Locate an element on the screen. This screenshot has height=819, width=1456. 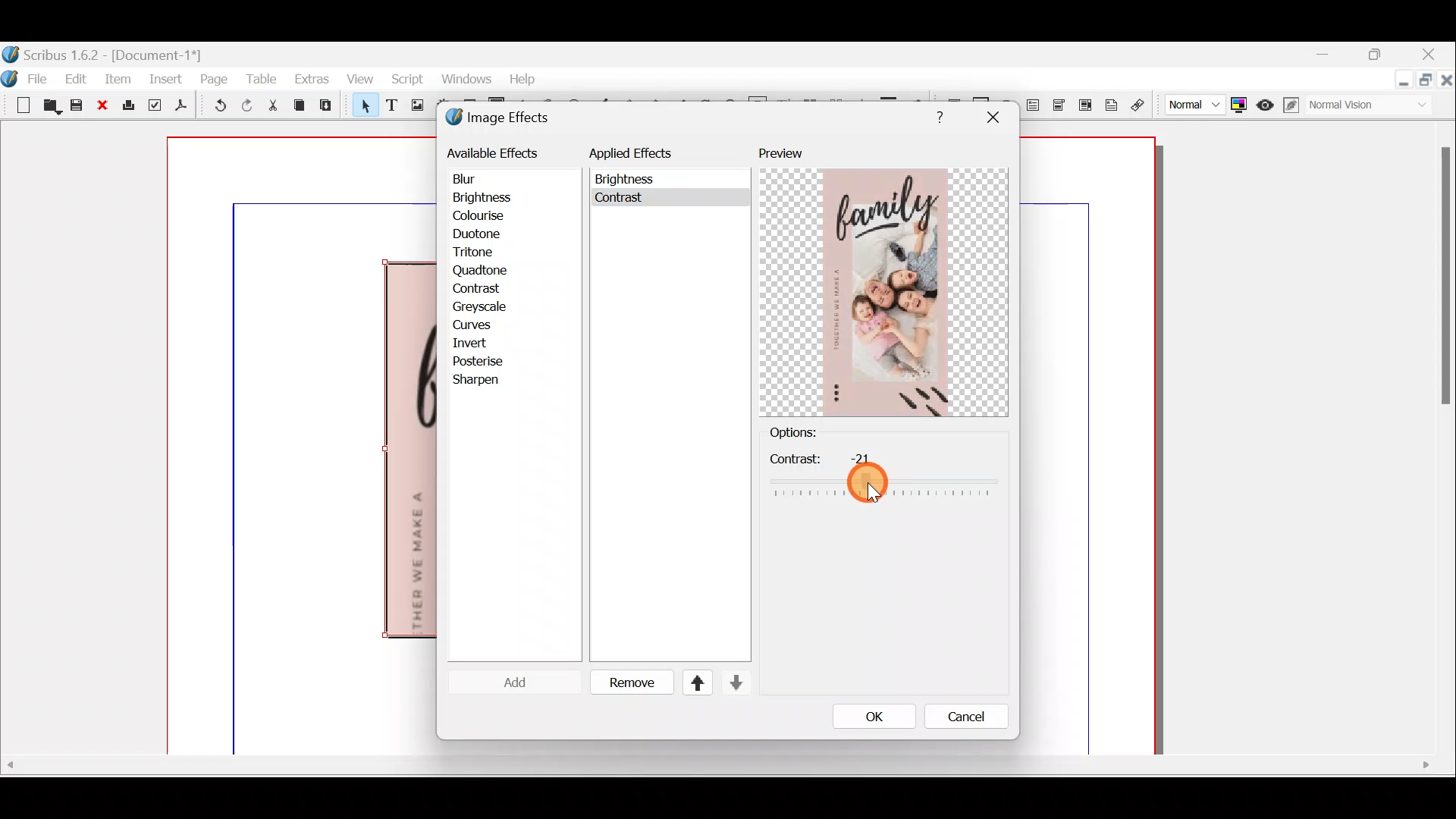
OK is located at coordinates (870, 716).